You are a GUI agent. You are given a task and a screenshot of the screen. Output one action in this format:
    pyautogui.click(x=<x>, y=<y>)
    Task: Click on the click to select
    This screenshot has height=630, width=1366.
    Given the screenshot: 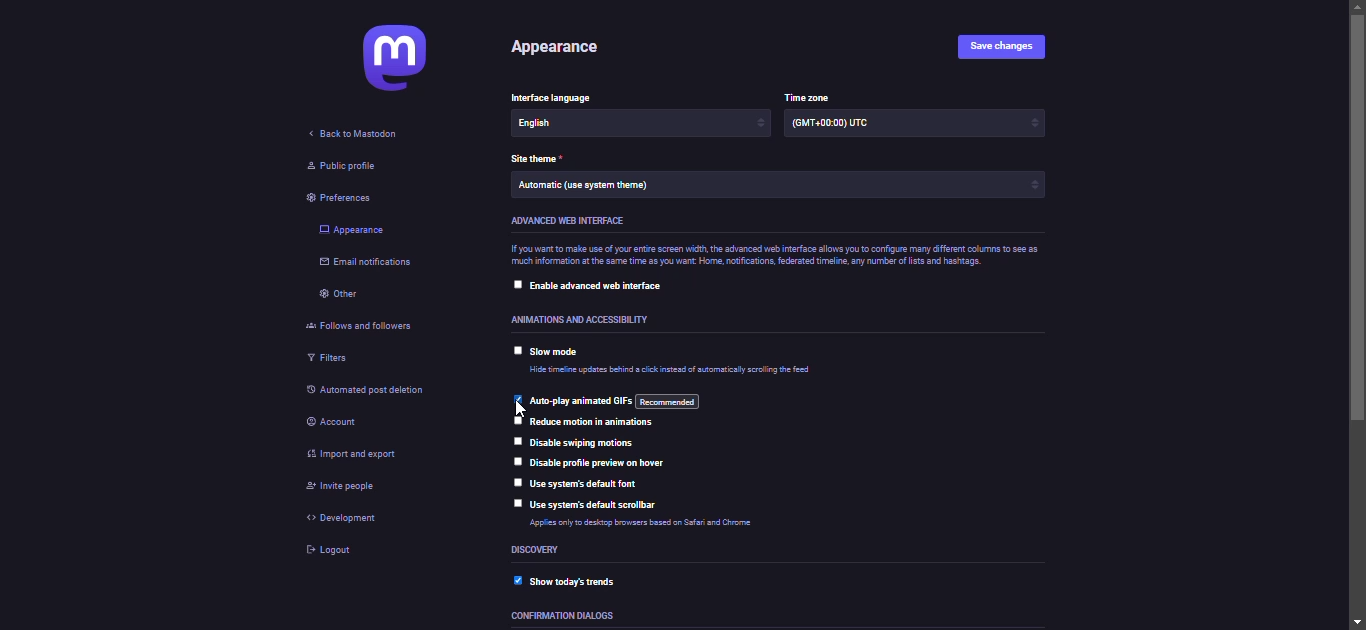 What is the action you would take?
    pyautogui.click(x=515, y=460)
    